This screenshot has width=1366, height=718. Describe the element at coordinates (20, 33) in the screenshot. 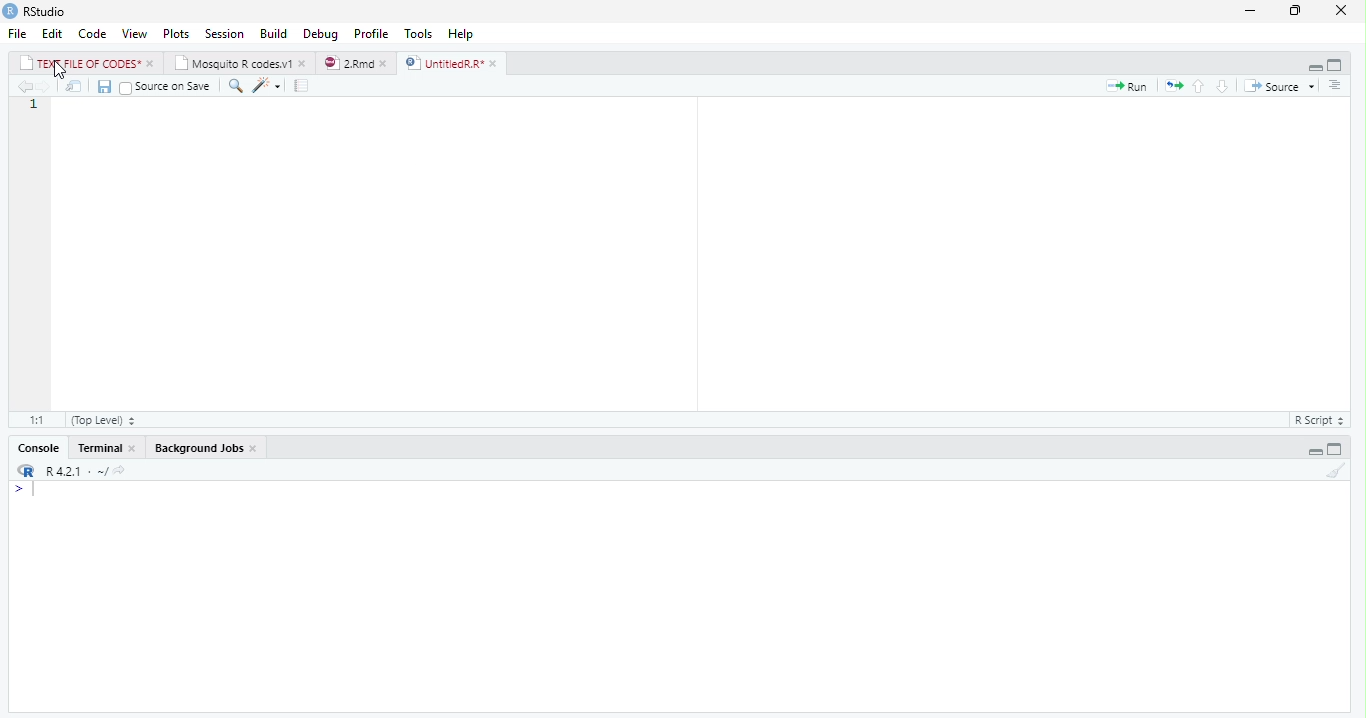

I see `File` at that location.